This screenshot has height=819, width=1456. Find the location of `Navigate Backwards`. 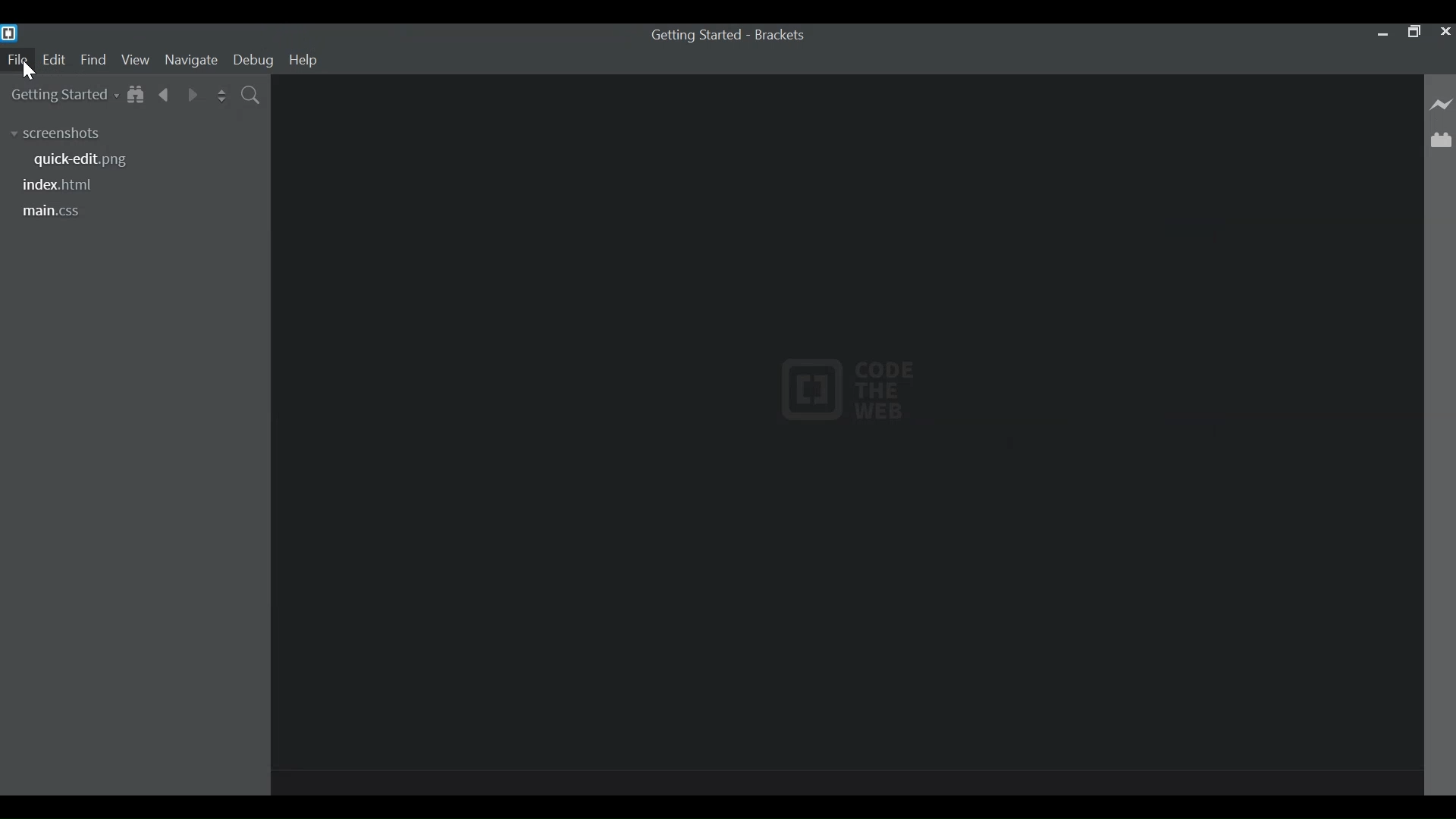

Navigate Backwards is located at coordinates (167, 94).